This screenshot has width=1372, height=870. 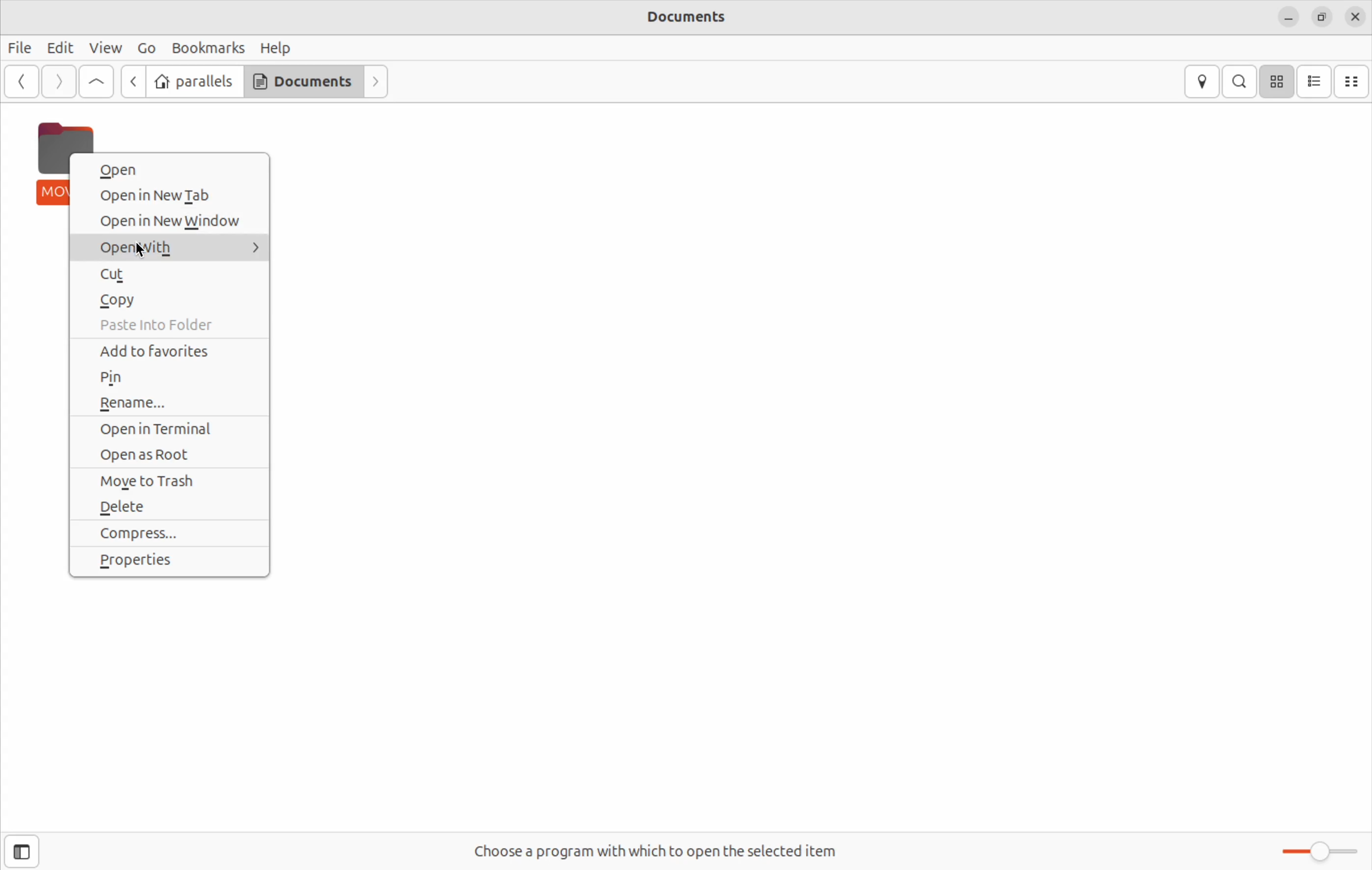 What do you see at coordinates (59, 82) in the screenshot?
I see `forward` at bounding box center [59, 82].